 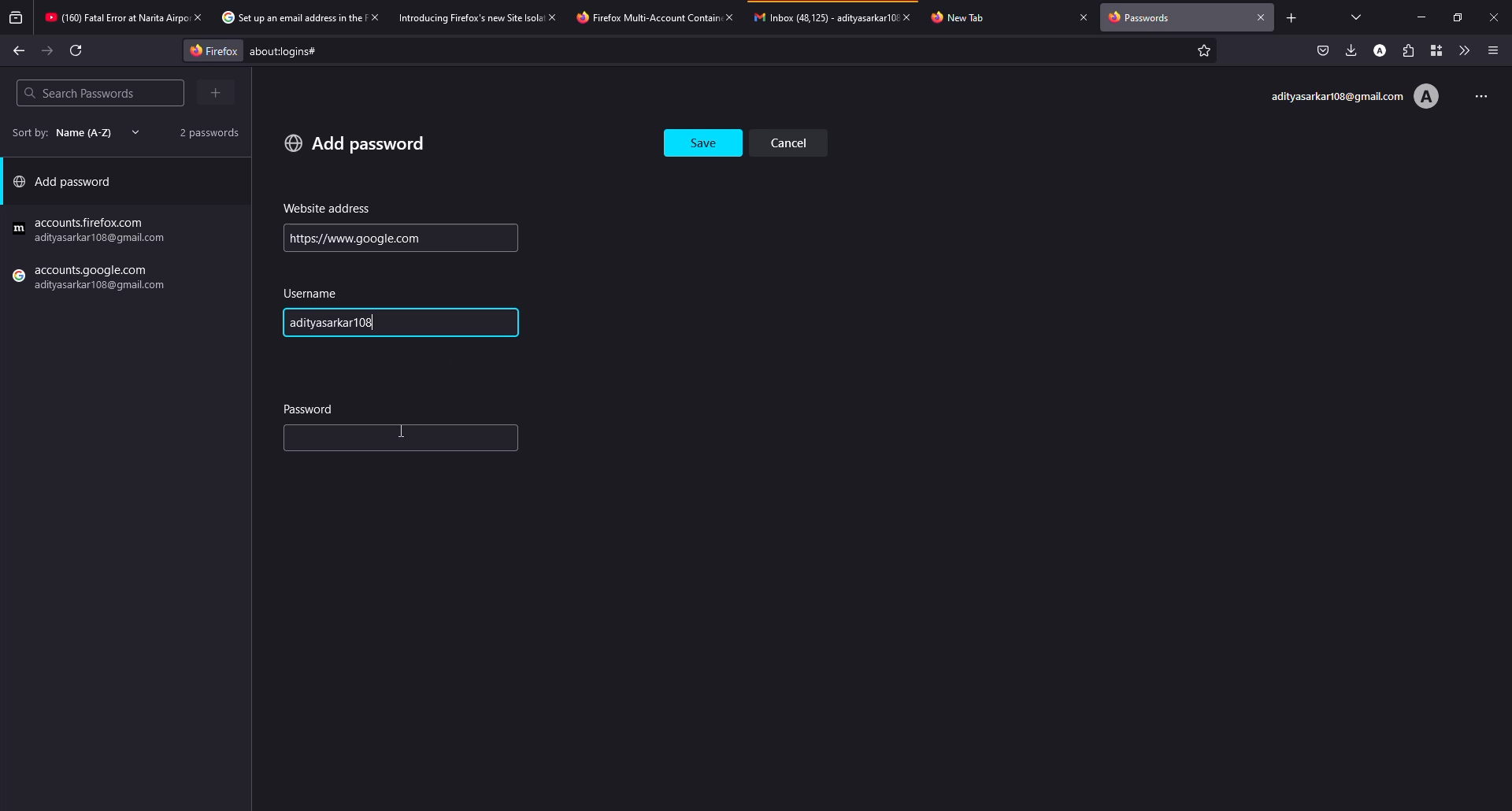 What do you see at coordinates (355, 143) in the screenshot?
I see `add` at bounding box center [355, 143].